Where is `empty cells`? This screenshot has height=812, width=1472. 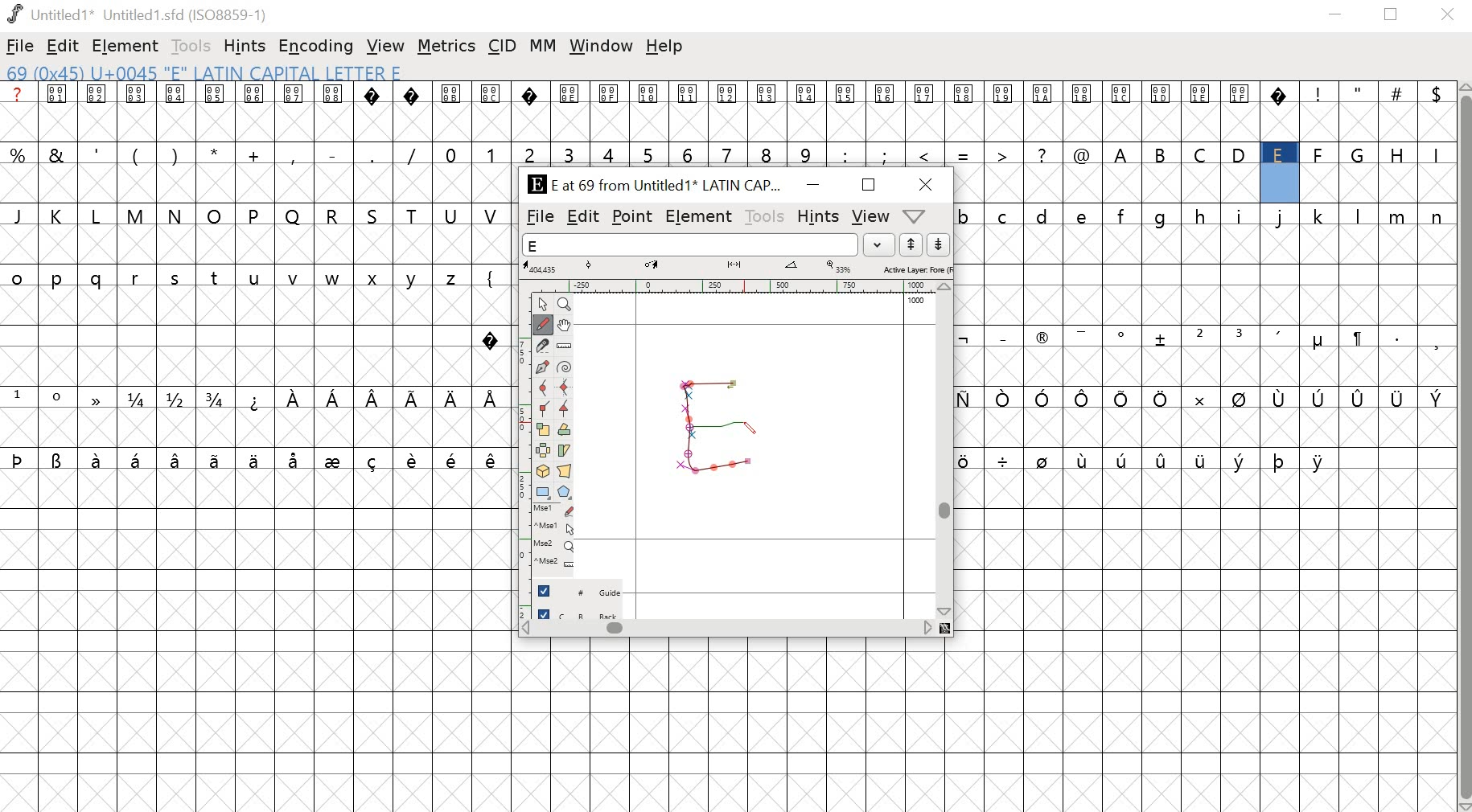
empty cells is located at coordinates (1208, 427).